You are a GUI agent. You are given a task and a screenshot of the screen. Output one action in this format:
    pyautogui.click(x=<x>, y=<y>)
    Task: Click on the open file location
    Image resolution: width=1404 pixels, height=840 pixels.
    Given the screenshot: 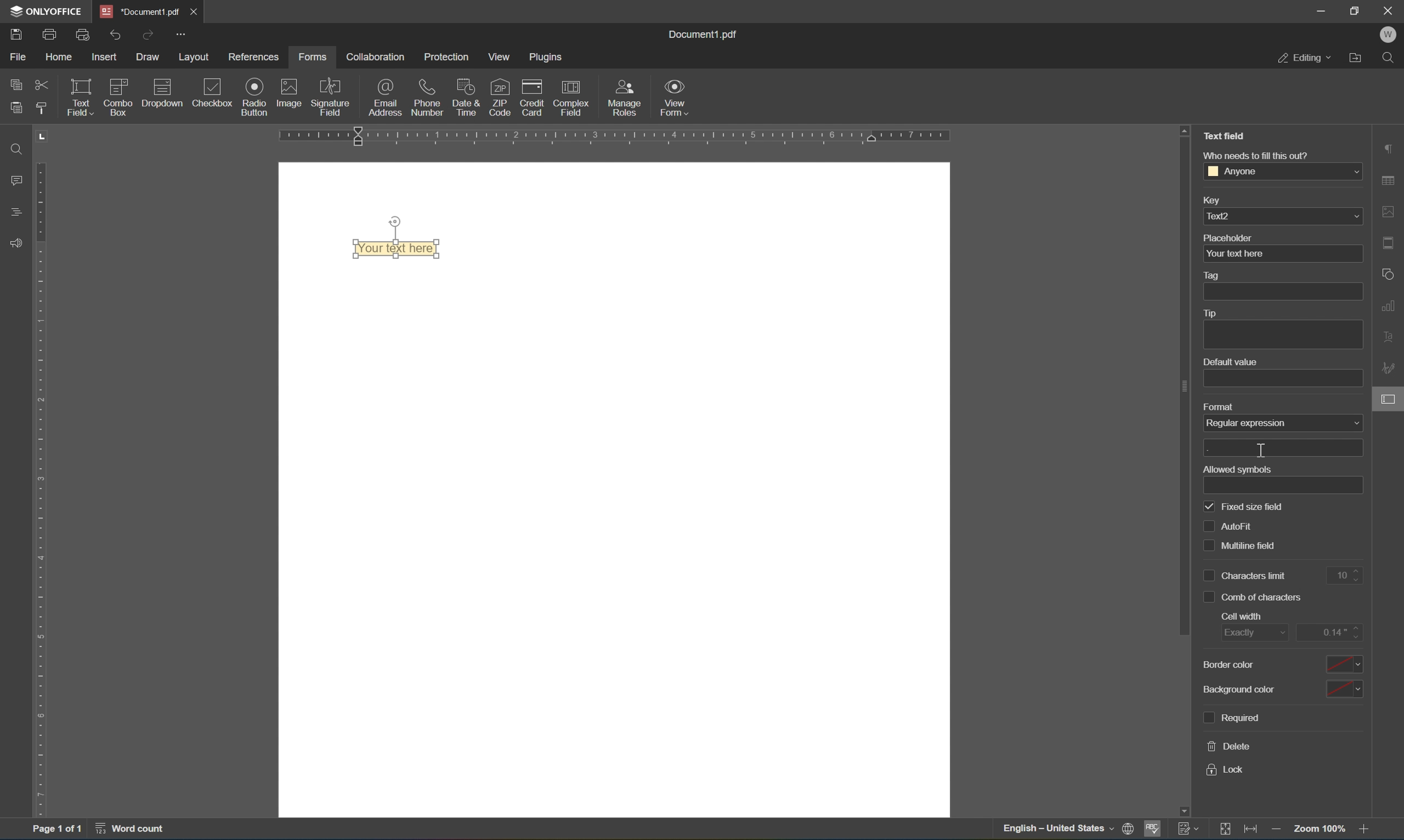 What is the action you would take?
    pyautogui.click(x=1358, y=59)
    